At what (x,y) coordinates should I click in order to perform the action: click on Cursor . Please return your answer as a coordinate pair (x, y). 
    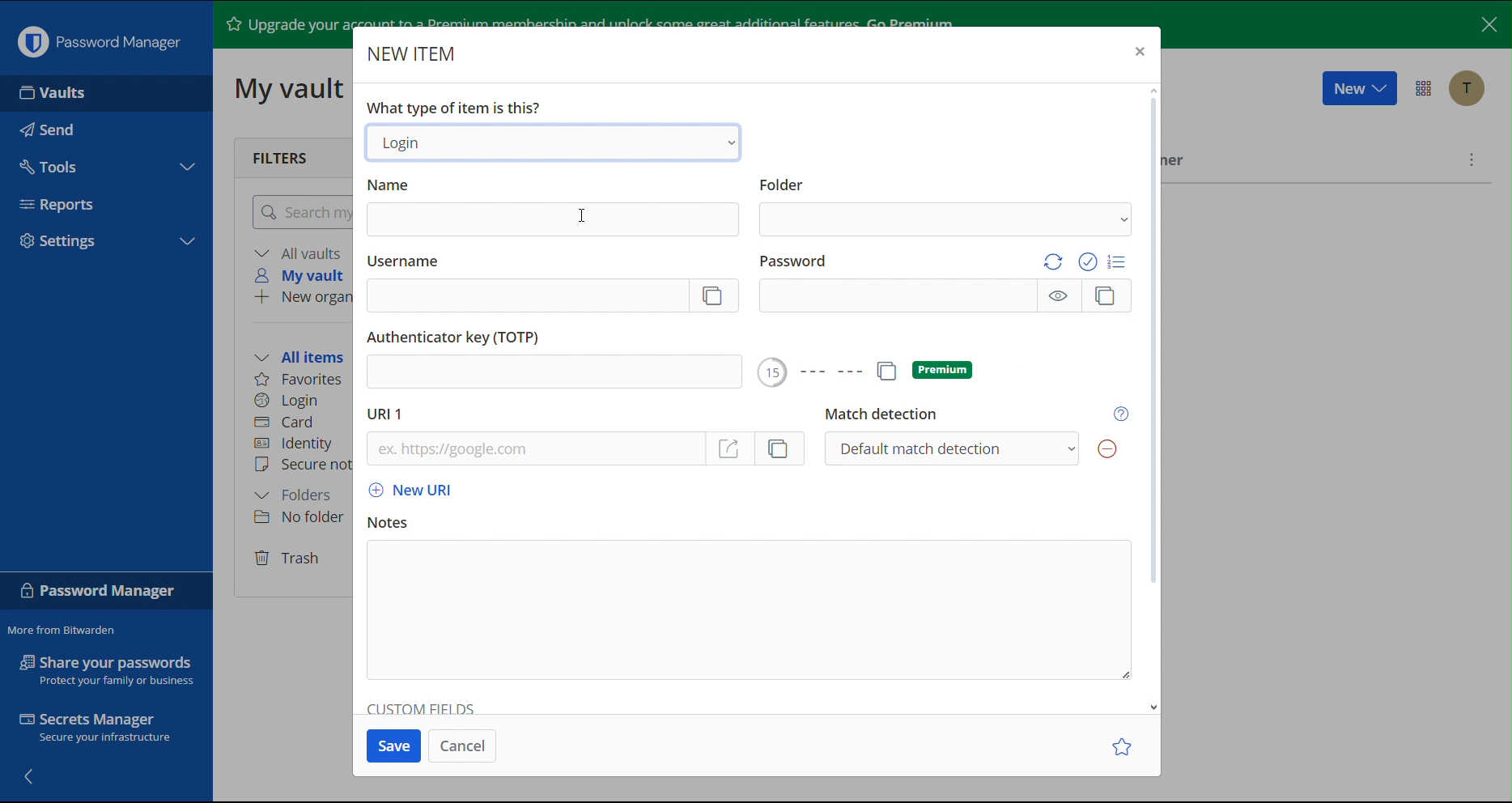
    Looking at the image, I should click on (581, 218).